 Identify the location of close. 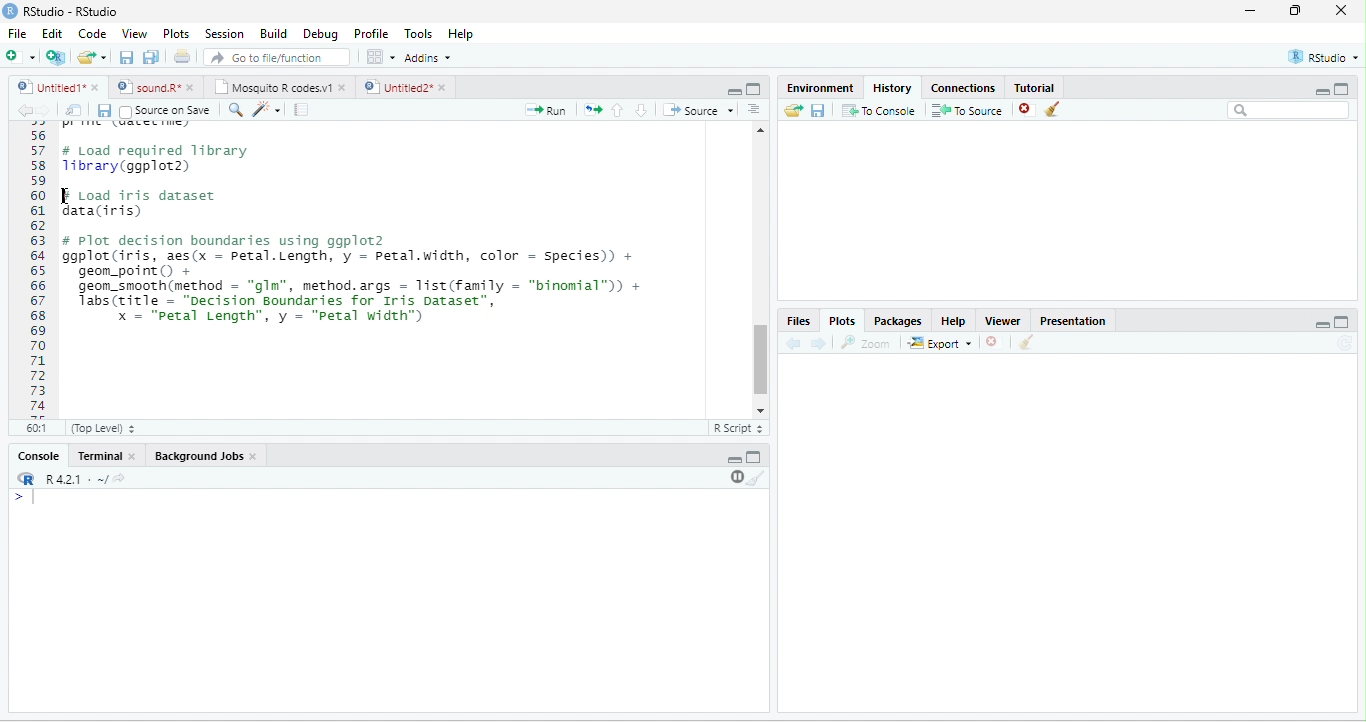
(192, 88).